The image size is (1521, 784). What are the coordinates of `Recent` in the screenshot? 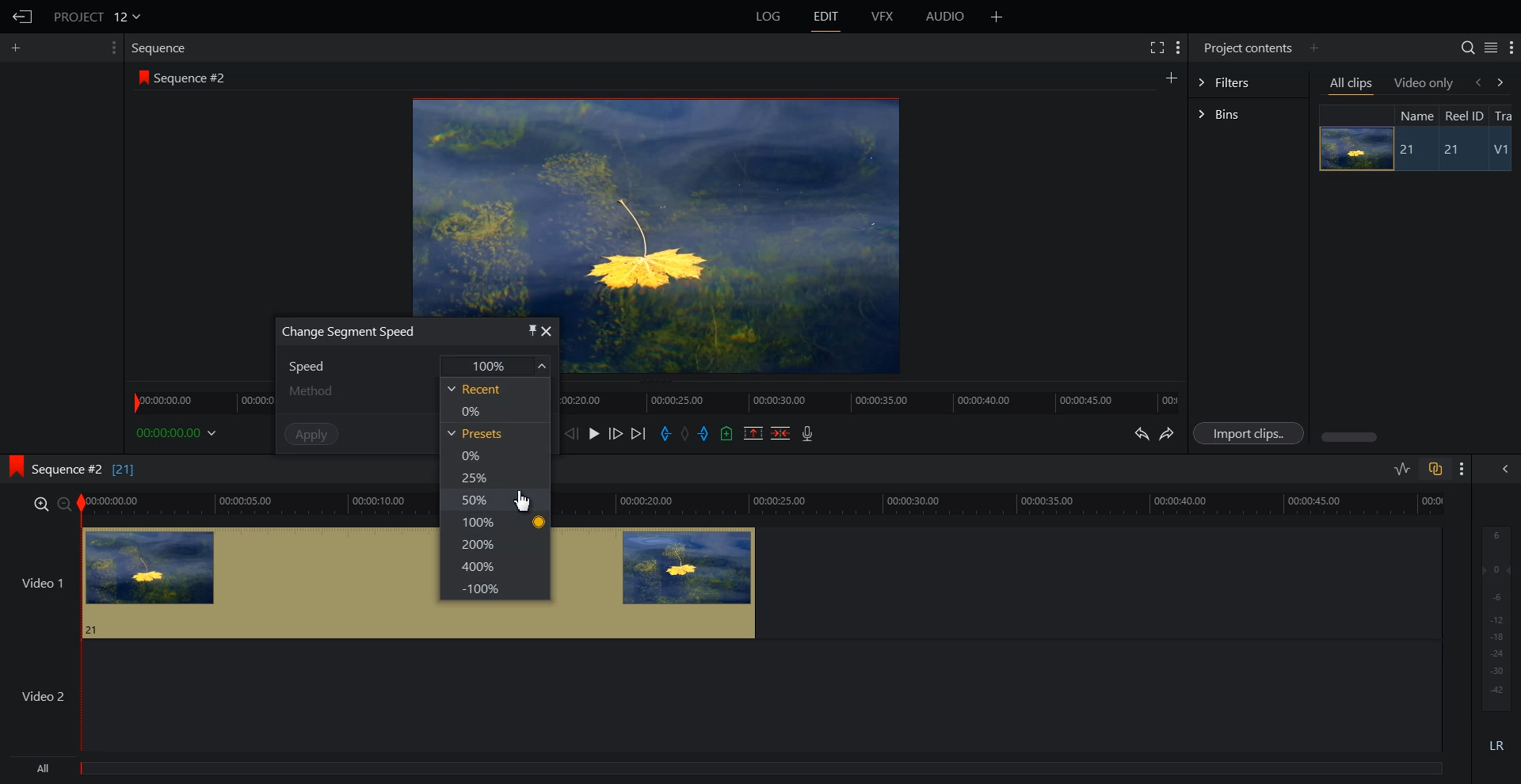 It's located at (476, 388).